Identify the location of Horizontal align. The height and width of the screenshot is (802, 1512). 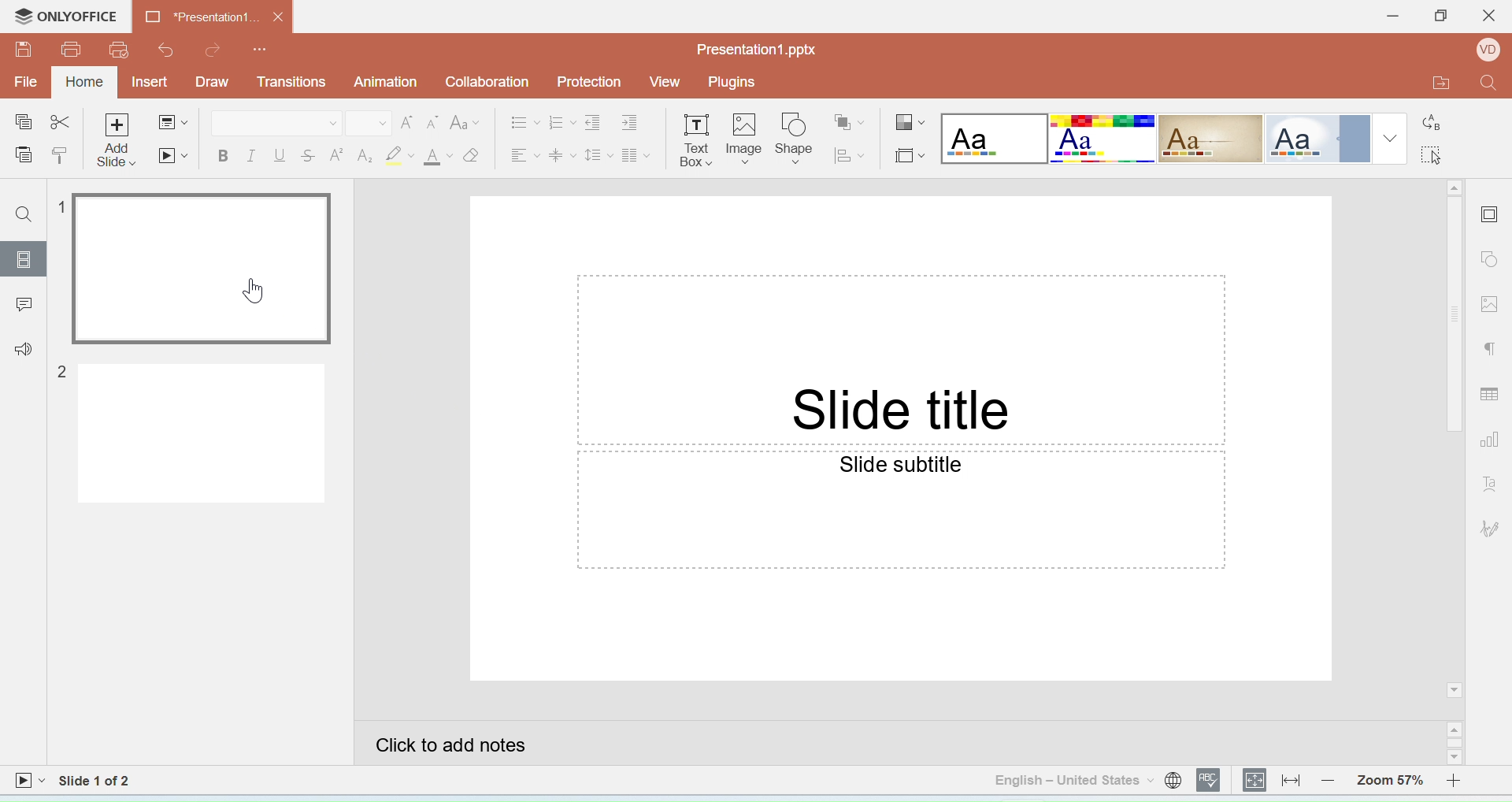
(524, 152).